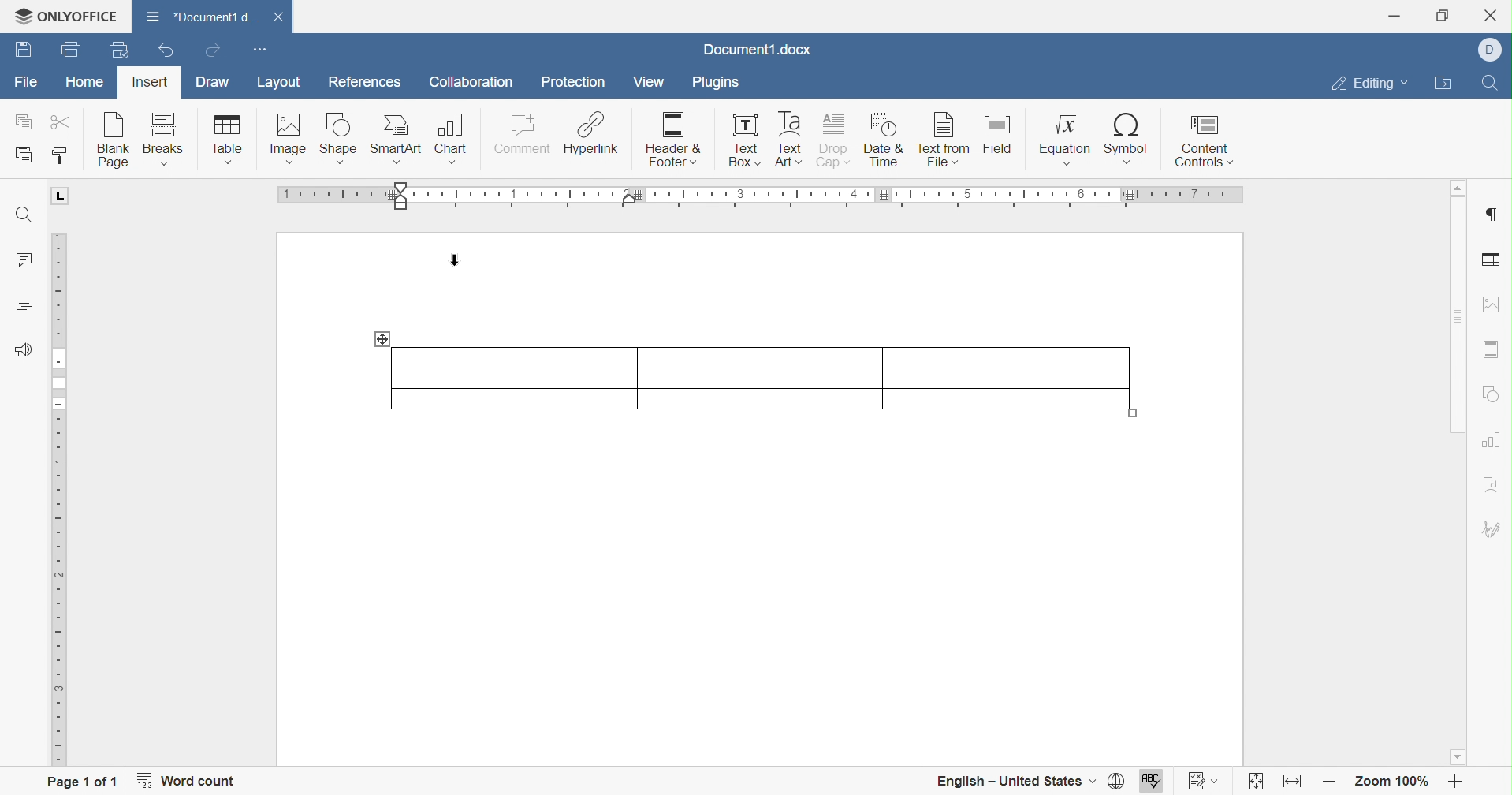  What do you see at coordinates (1205, 141) in the screenshot?
I see `Content controls` at bounding box center [1205, 141].